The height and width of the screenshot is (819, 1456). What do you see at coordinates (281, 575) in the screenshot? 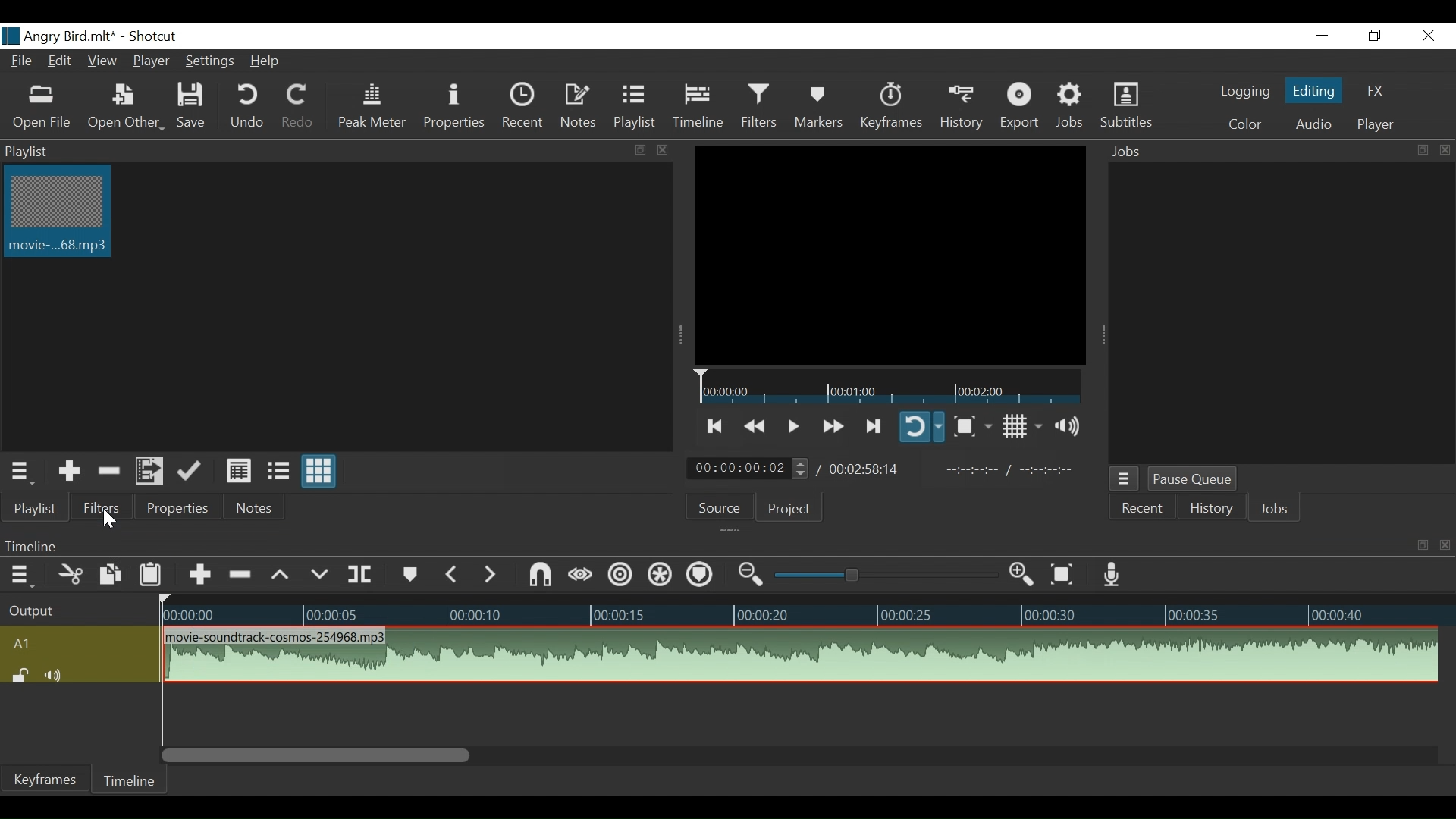
I see `Lift` at bounding box center [281, 575].